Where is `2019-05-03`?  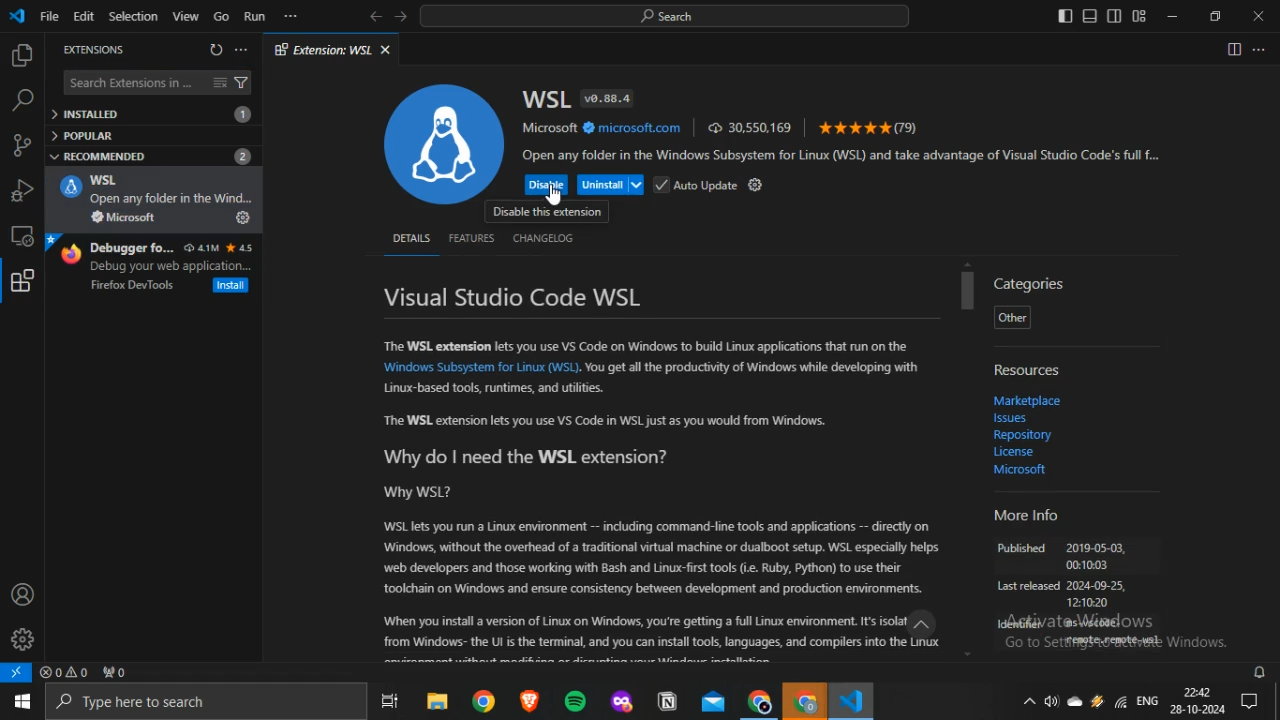
2019-05-03 is located at coordinates (1096, 549).